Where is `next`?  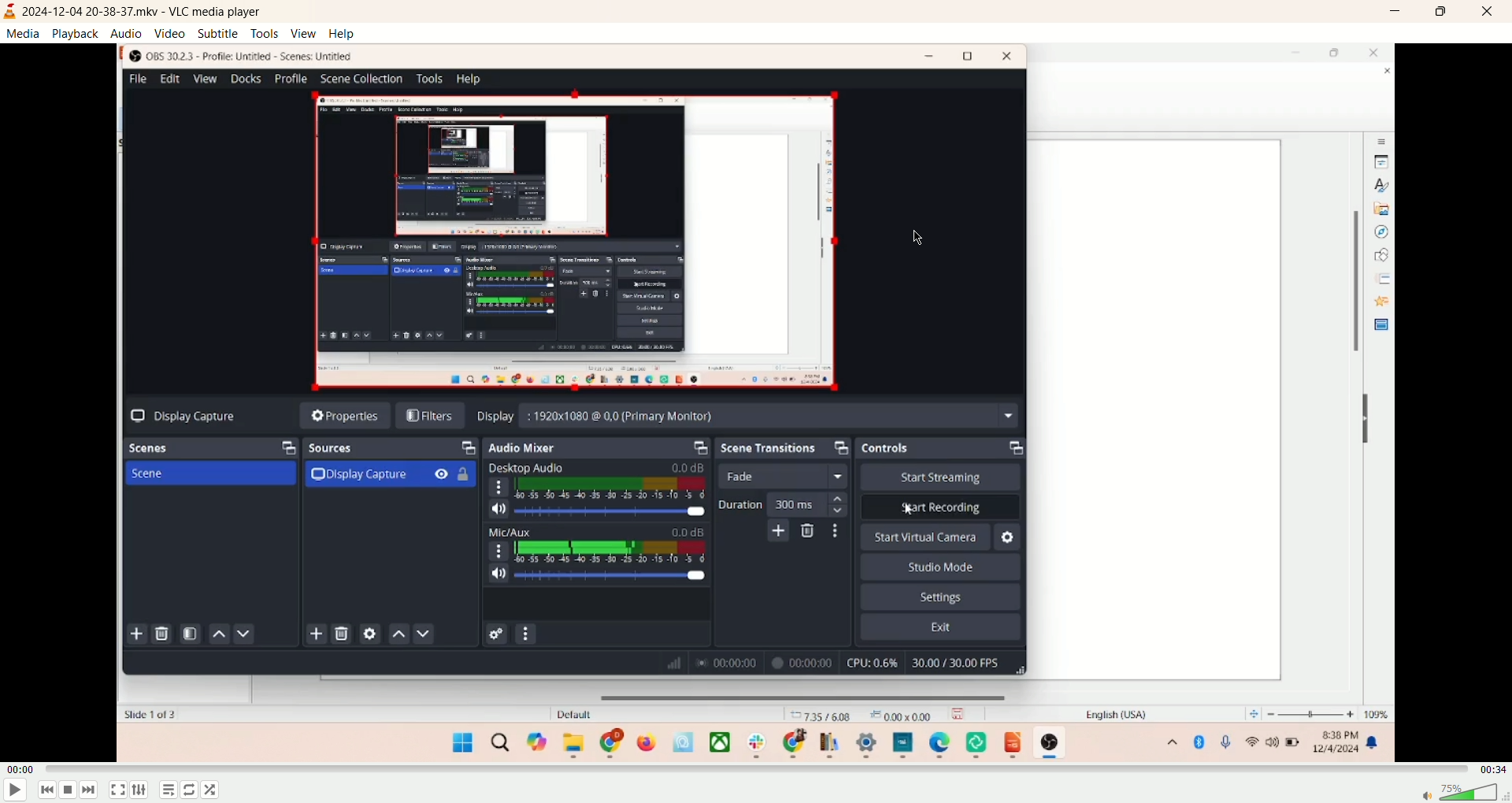 next is located at coordinates (92, 791).